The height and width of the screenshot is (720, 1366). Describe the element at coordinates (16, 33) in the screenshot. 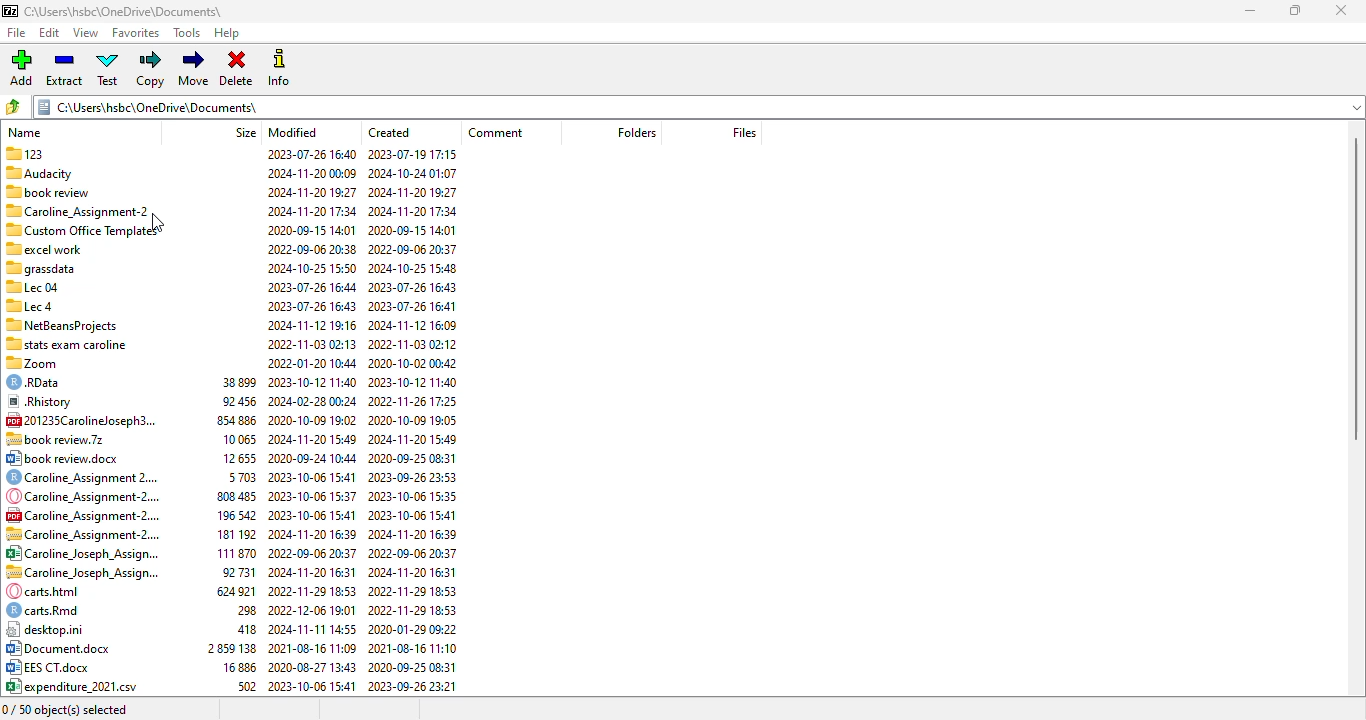

I see `file` at that location.